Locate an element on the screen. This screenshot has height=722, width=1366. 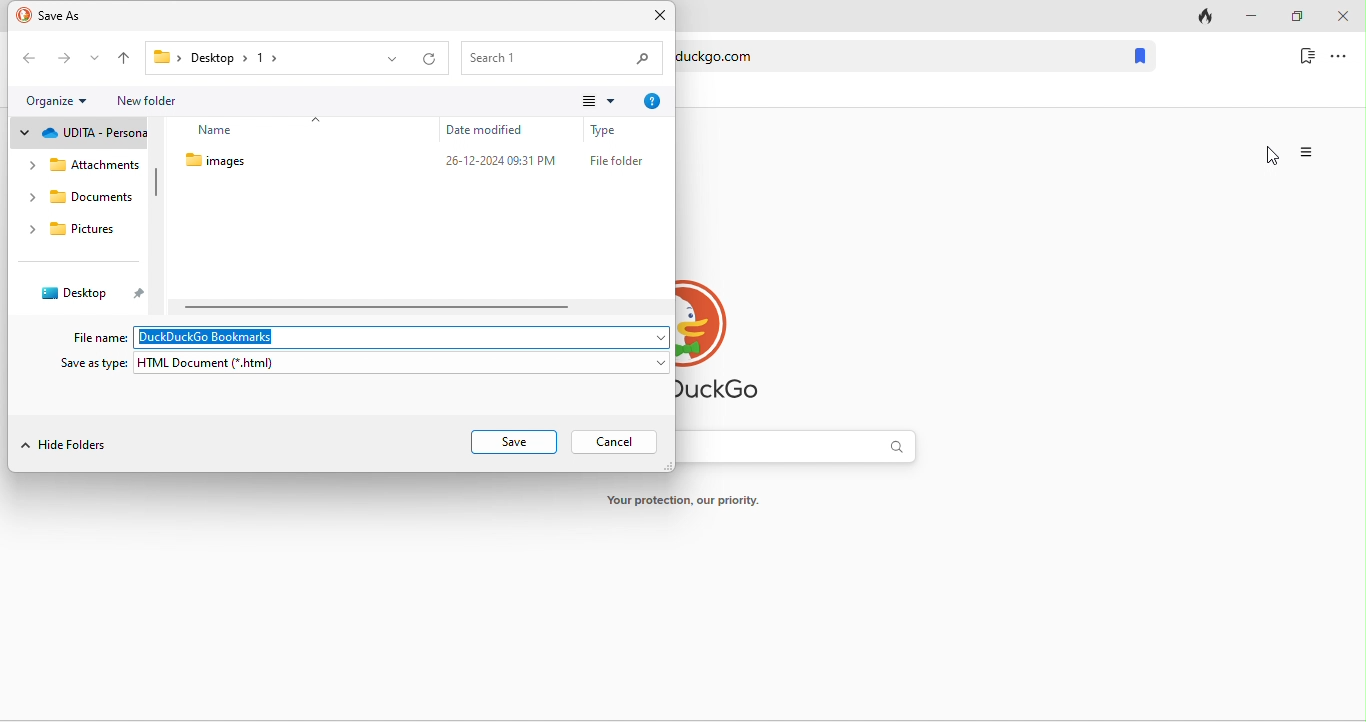
HTML document is located at coordinates (402, 363).